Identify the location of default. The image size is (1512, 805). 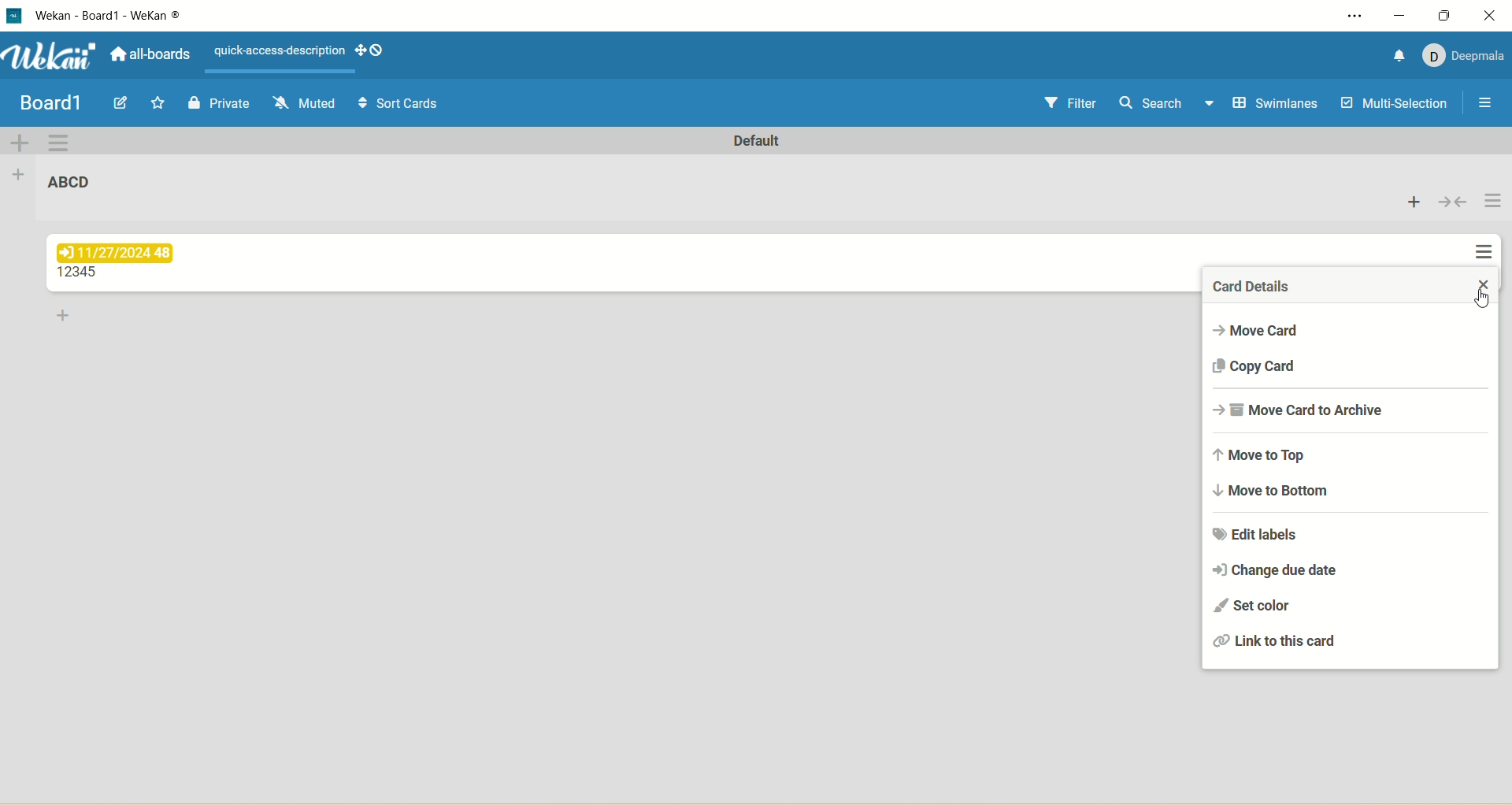
(758, 141).